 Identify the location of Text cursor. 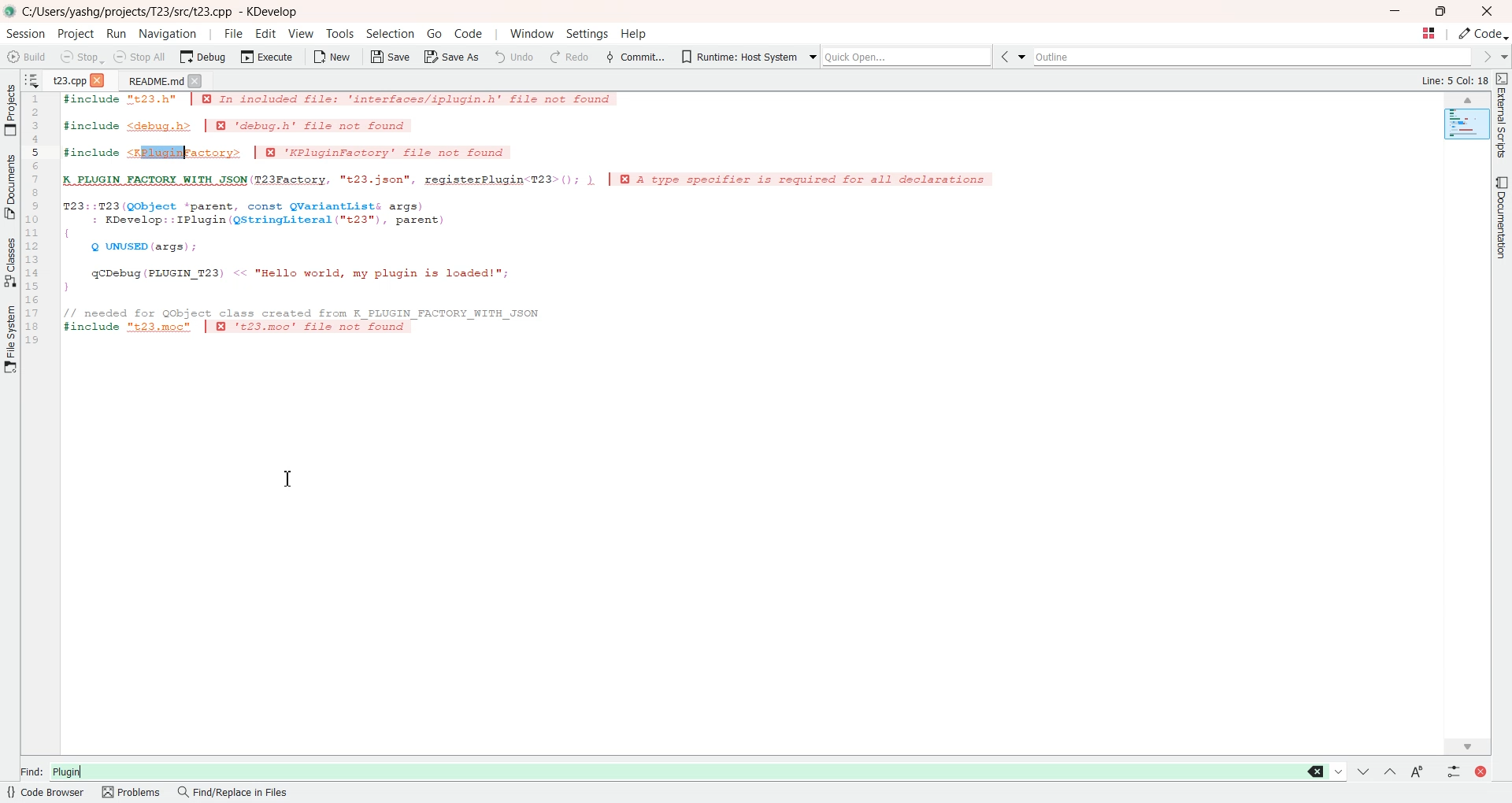
(292, 481).